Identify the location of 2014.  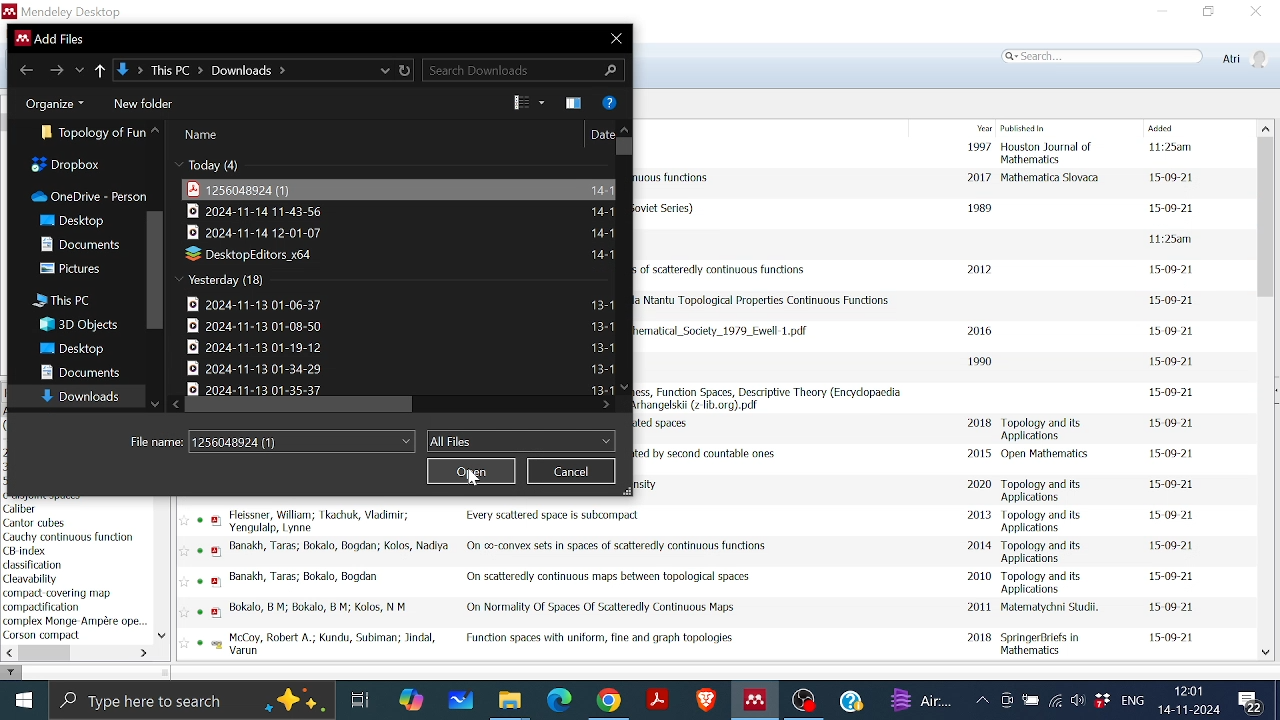
(979, 543).